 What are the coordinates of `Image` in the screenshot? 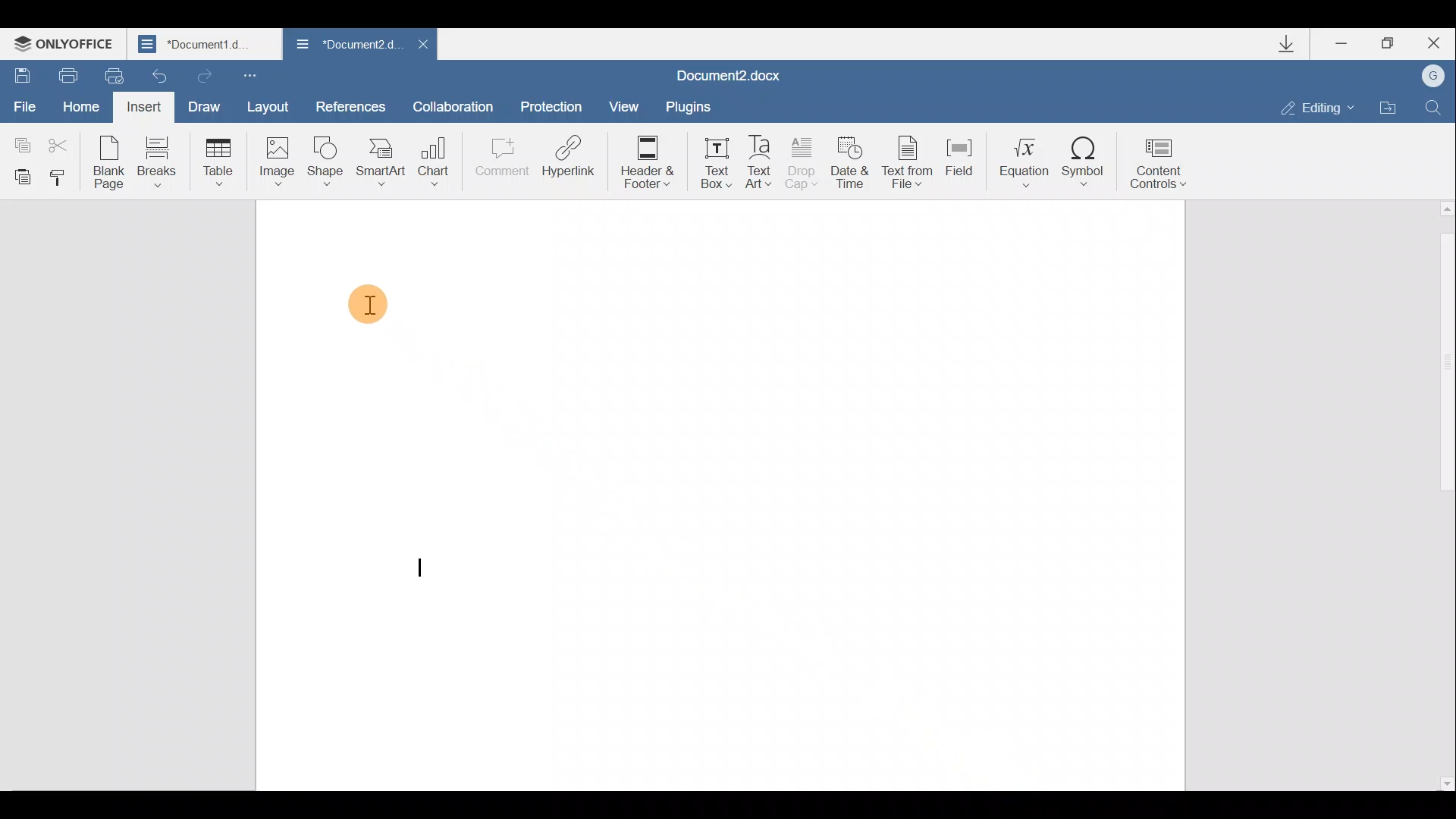 It's located at (276, 161).